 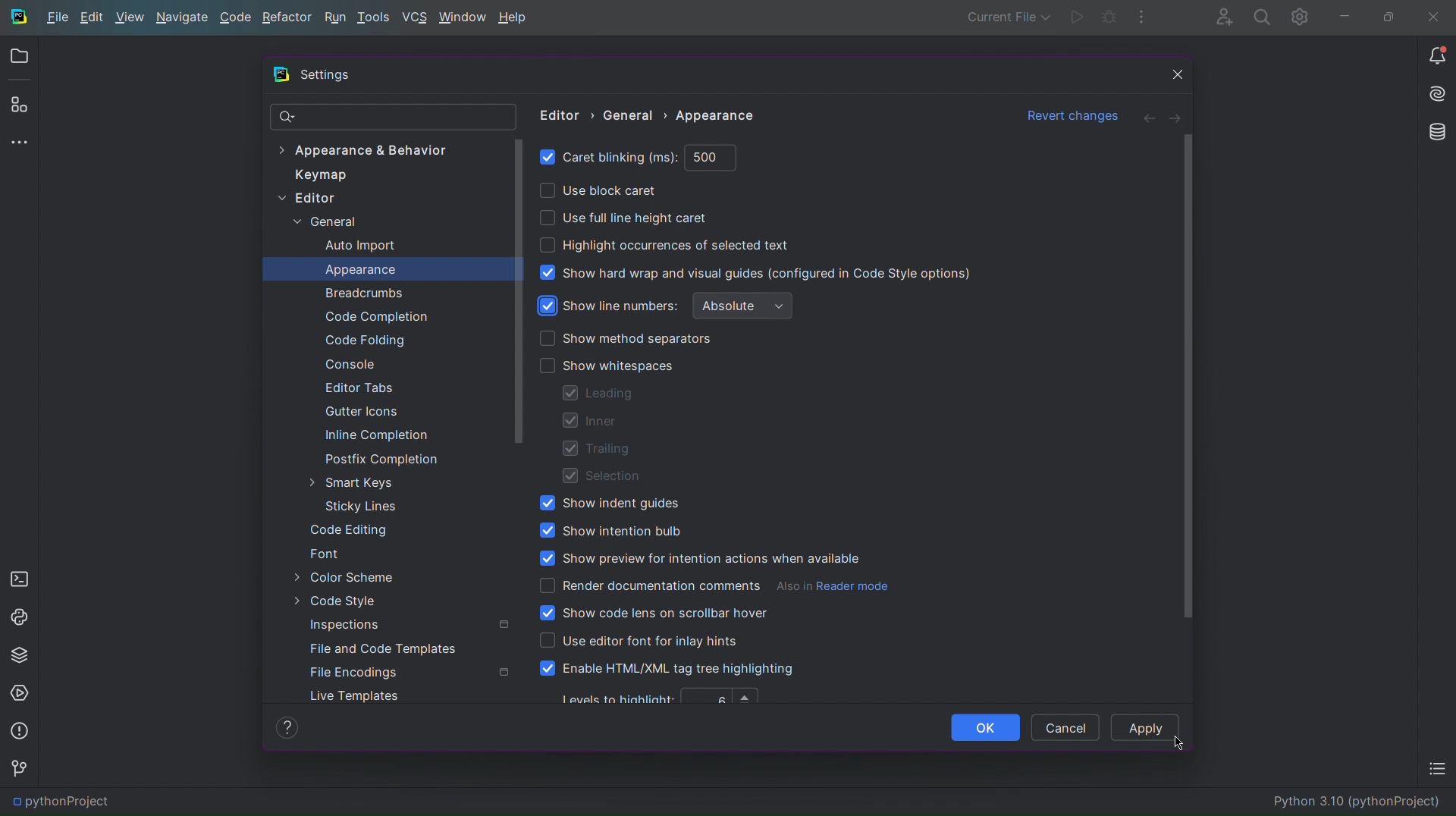 I want to click on Show intention bulb, so click(x=611, y=529).